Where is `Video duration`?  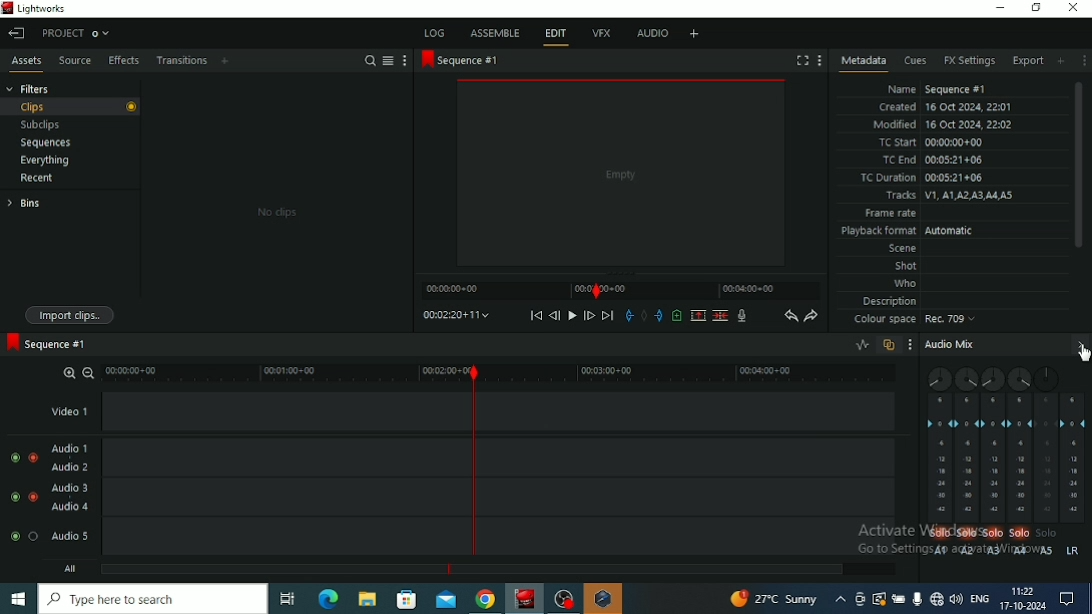
Video duration is located at coordinates (620, 290).